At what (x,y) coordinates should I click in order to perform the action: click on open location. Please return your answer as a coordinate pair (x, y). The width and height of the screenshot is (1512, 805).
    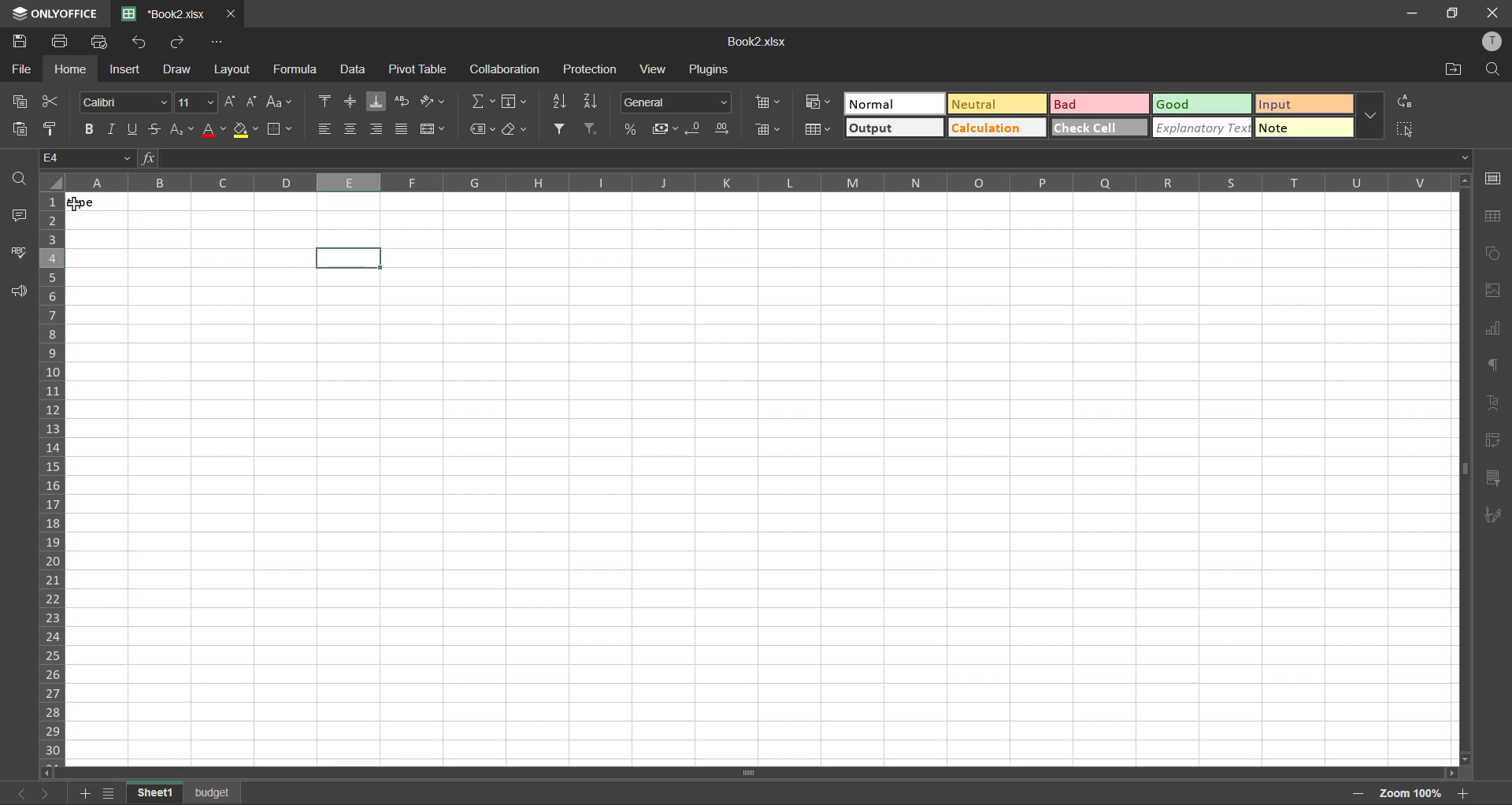
    Looking at the image, I should click on (1450, 72).